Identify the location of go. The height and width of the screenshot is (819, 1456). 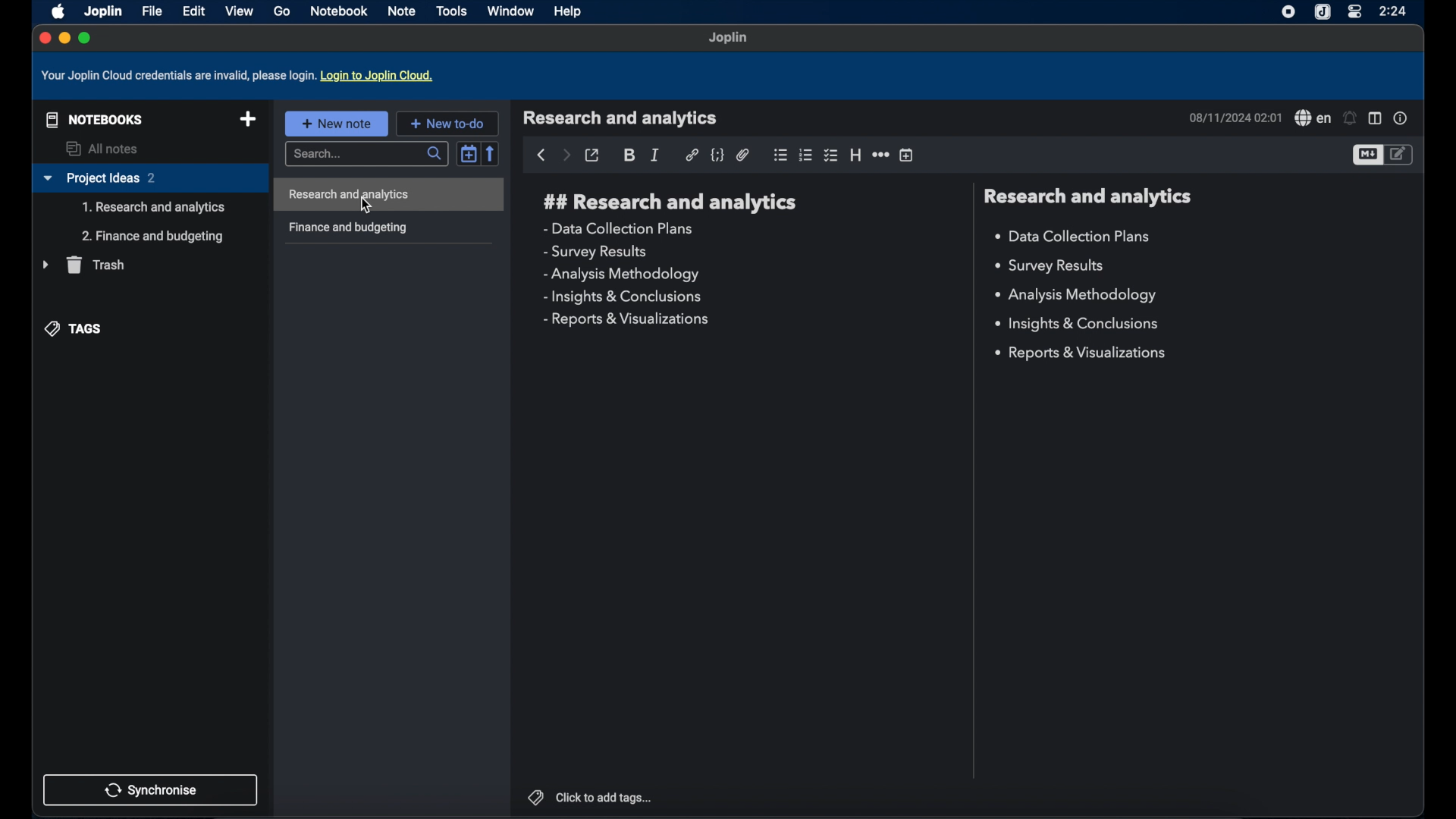
(281, 11).